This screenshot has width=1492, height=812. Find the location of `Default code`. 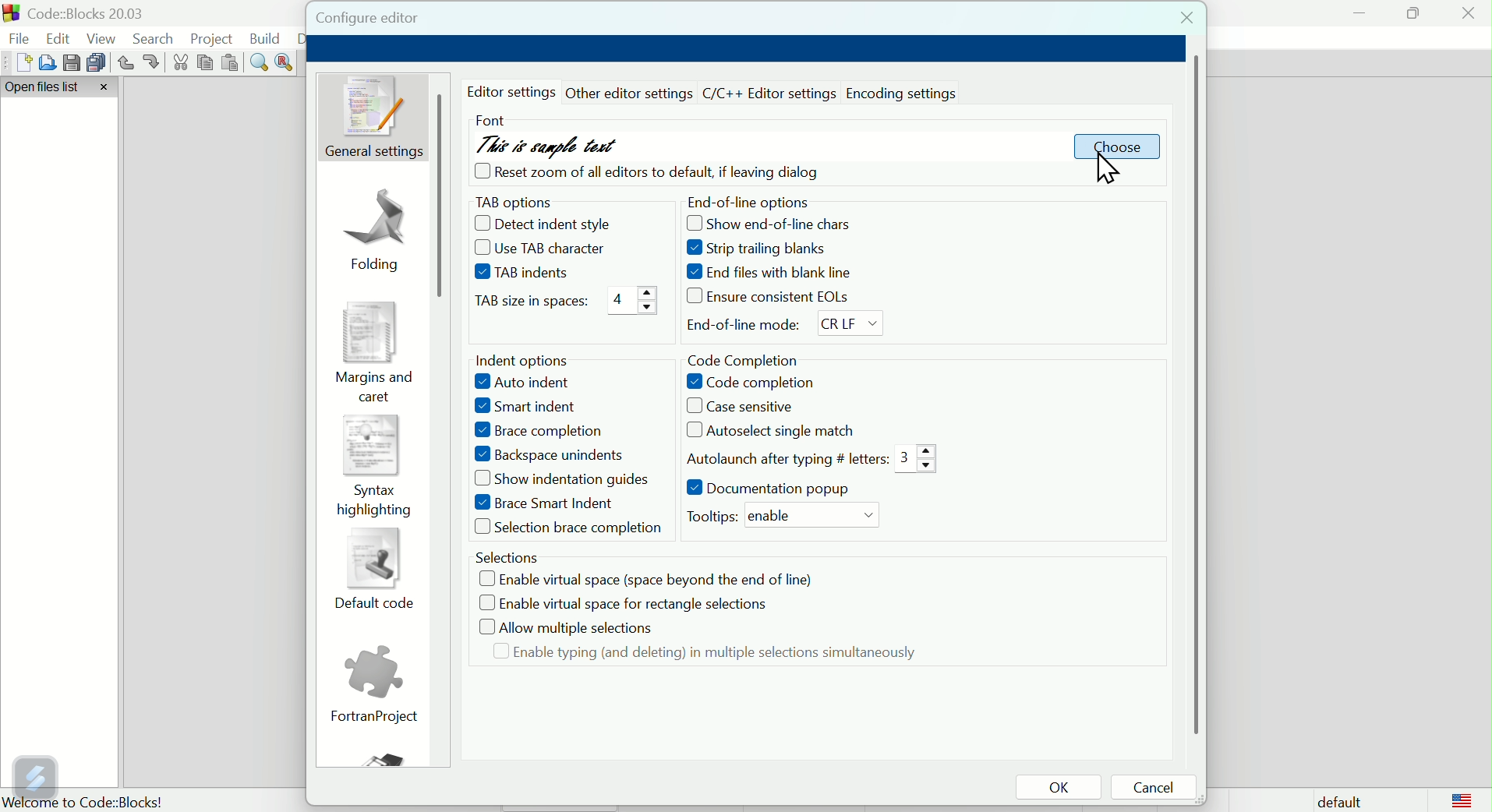

Default code is located at coordinates (372, 573).